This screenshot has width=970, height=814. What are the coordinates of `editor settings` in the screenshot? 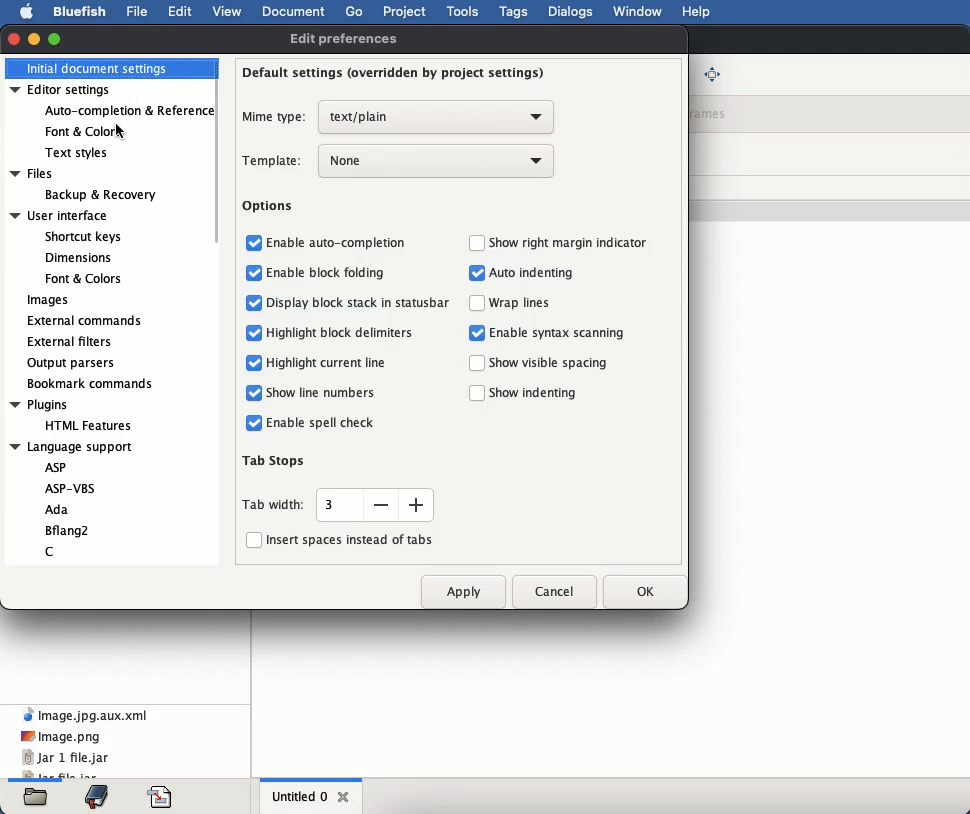 It's located at (110, 121).